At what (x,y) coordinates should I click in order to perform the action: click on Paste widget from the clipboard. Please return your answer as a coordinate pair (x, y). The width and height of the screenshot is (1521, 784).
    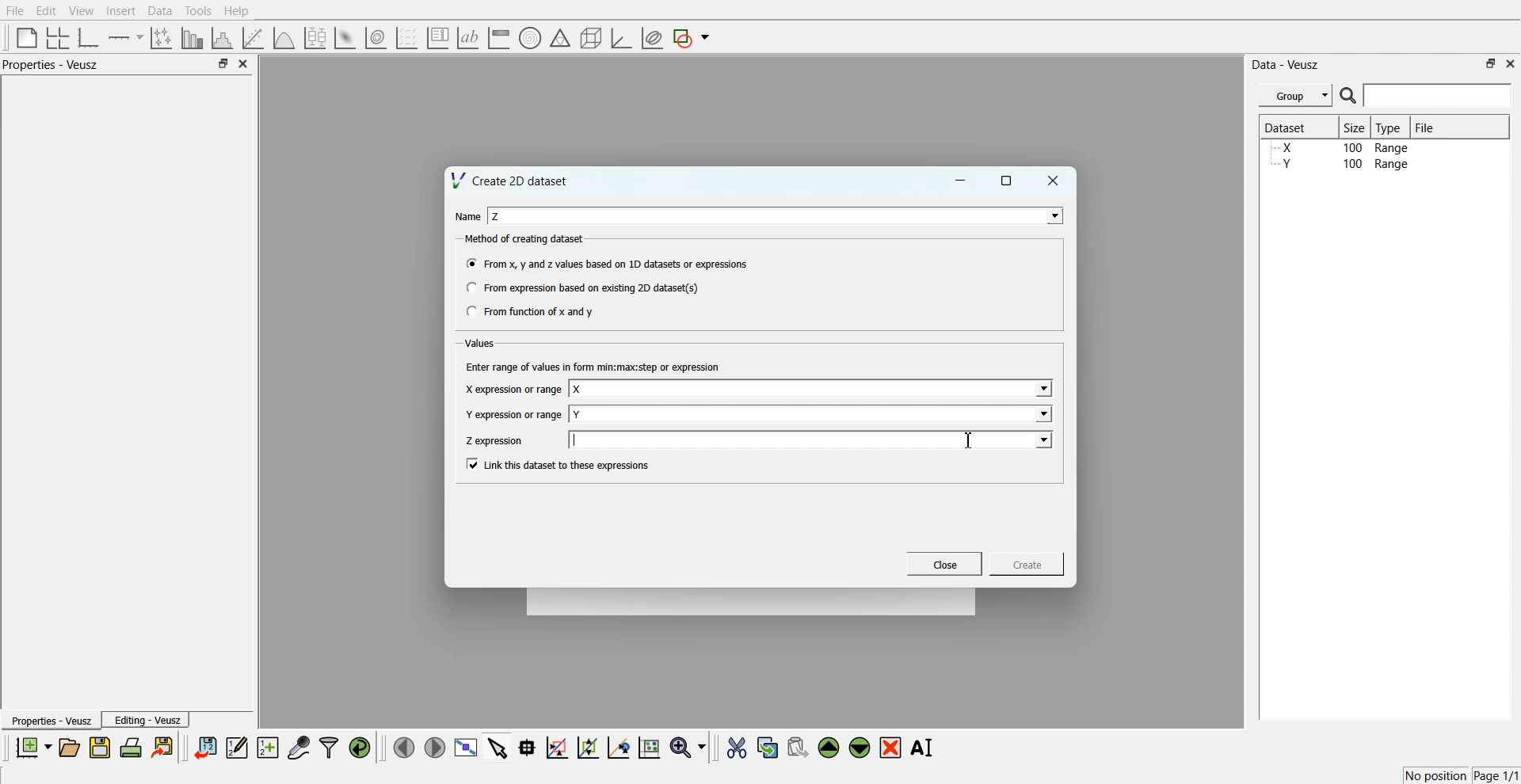
    Looking at the image, I should click on (798, 746).